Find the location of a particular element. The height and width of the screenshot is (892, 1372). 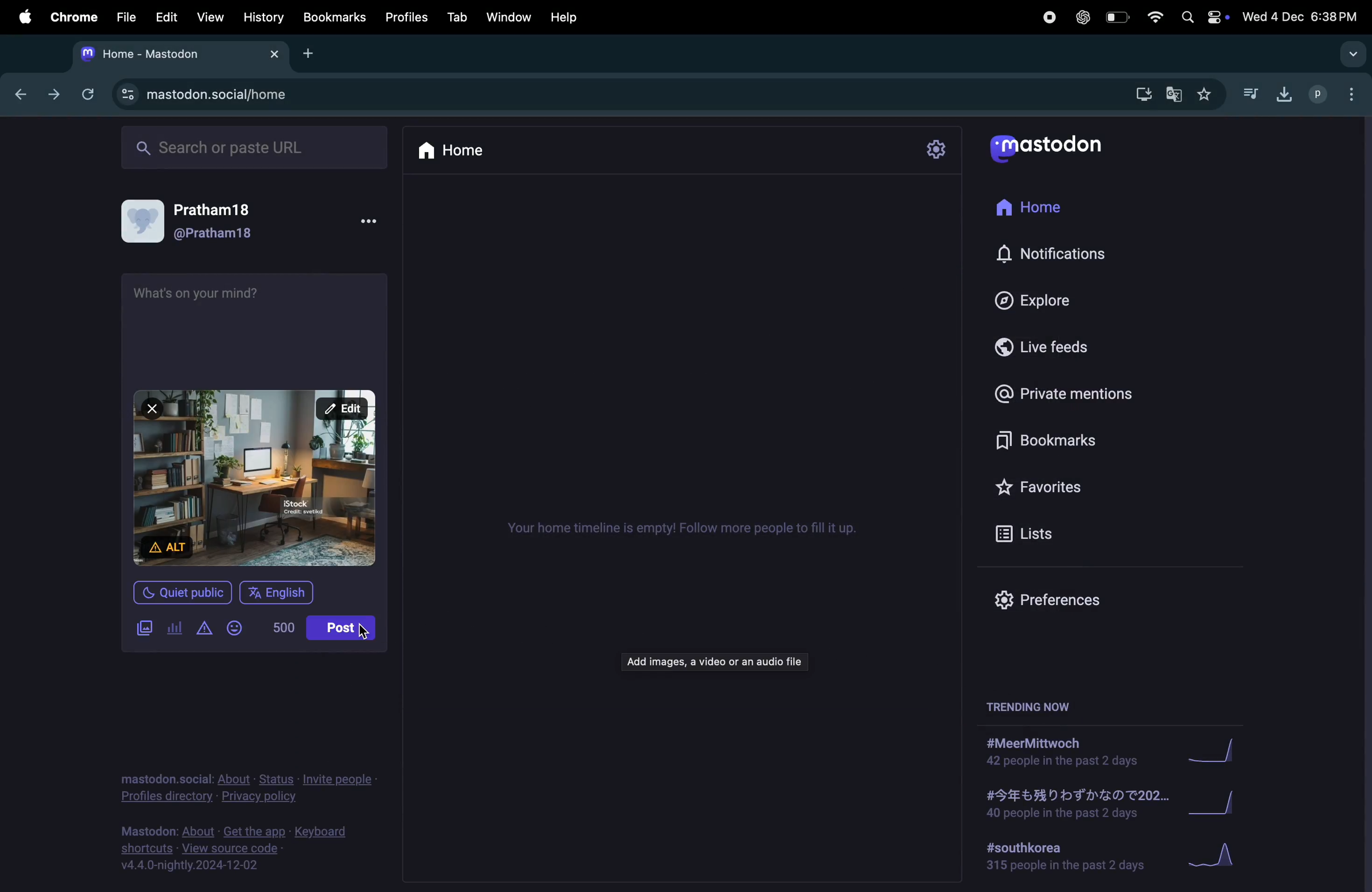

profiles is located at coordinates (408, 17).